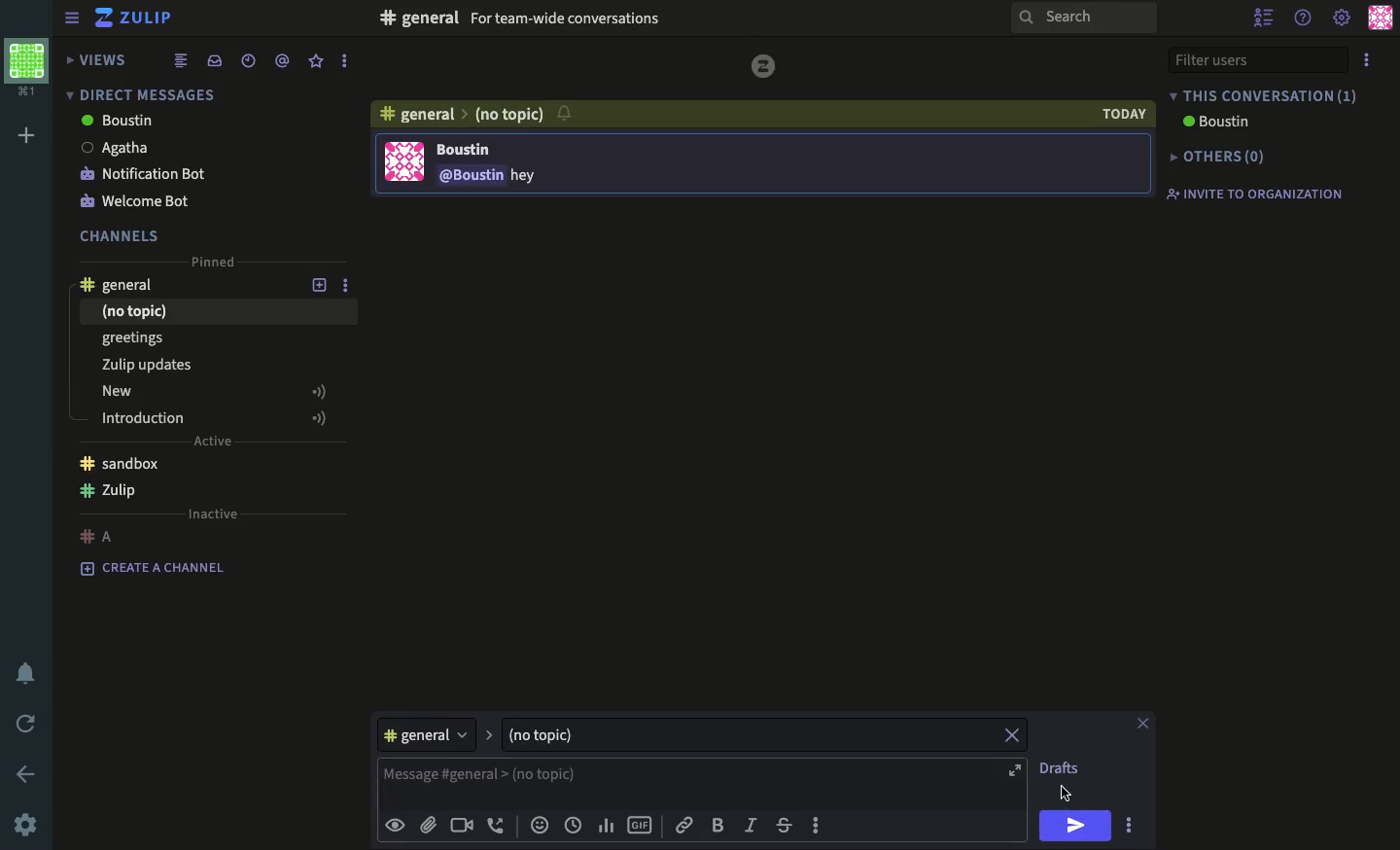  What do you see at coordinates (540, 825) in the screenshot?
I see `emoji` at bounding box center [540, 825].